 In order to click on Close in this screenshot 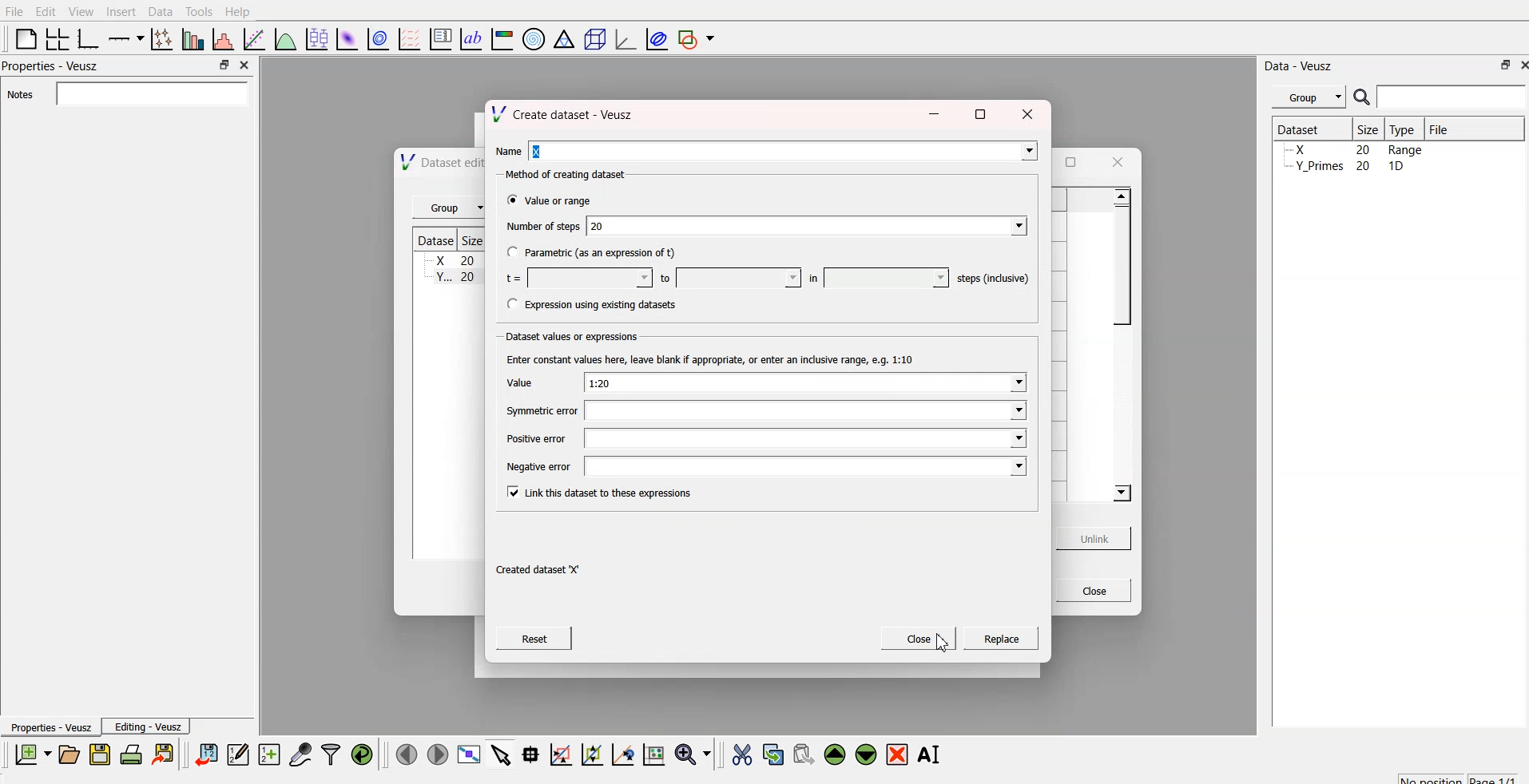, I will do `click(916, 640)`.